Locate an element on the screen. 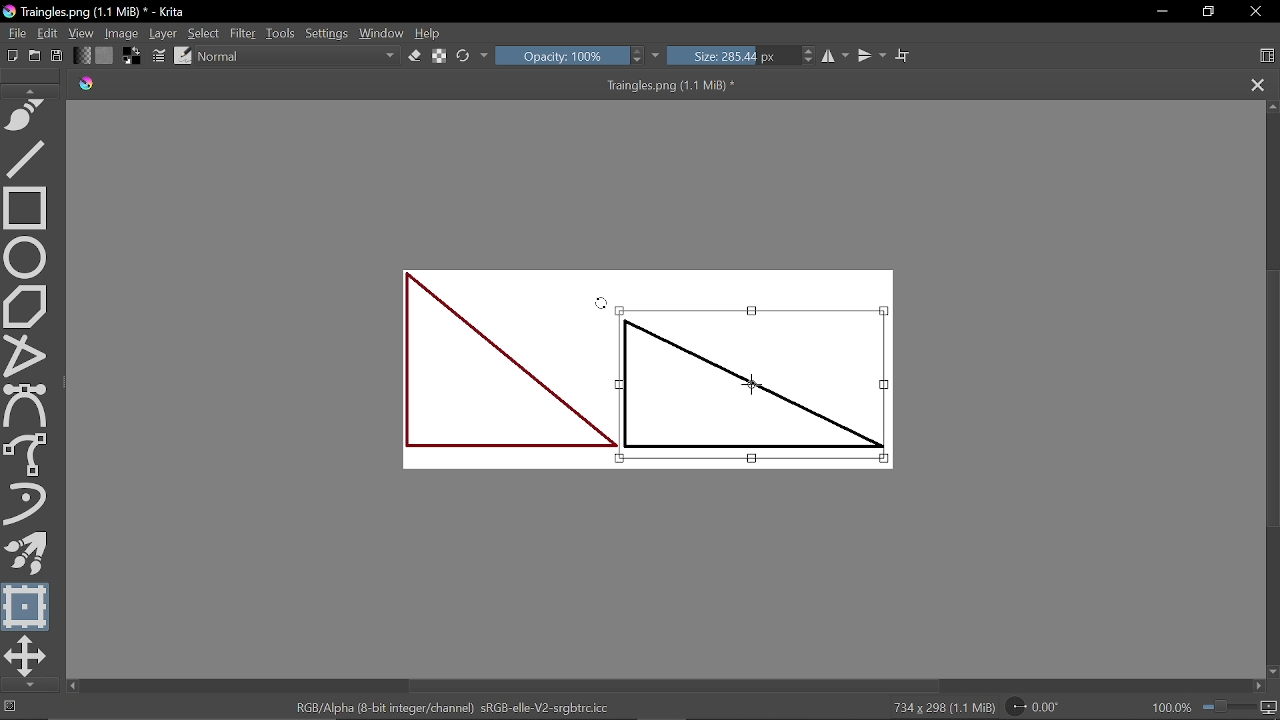  Choose workspace is located at coordinates (1266, 58).